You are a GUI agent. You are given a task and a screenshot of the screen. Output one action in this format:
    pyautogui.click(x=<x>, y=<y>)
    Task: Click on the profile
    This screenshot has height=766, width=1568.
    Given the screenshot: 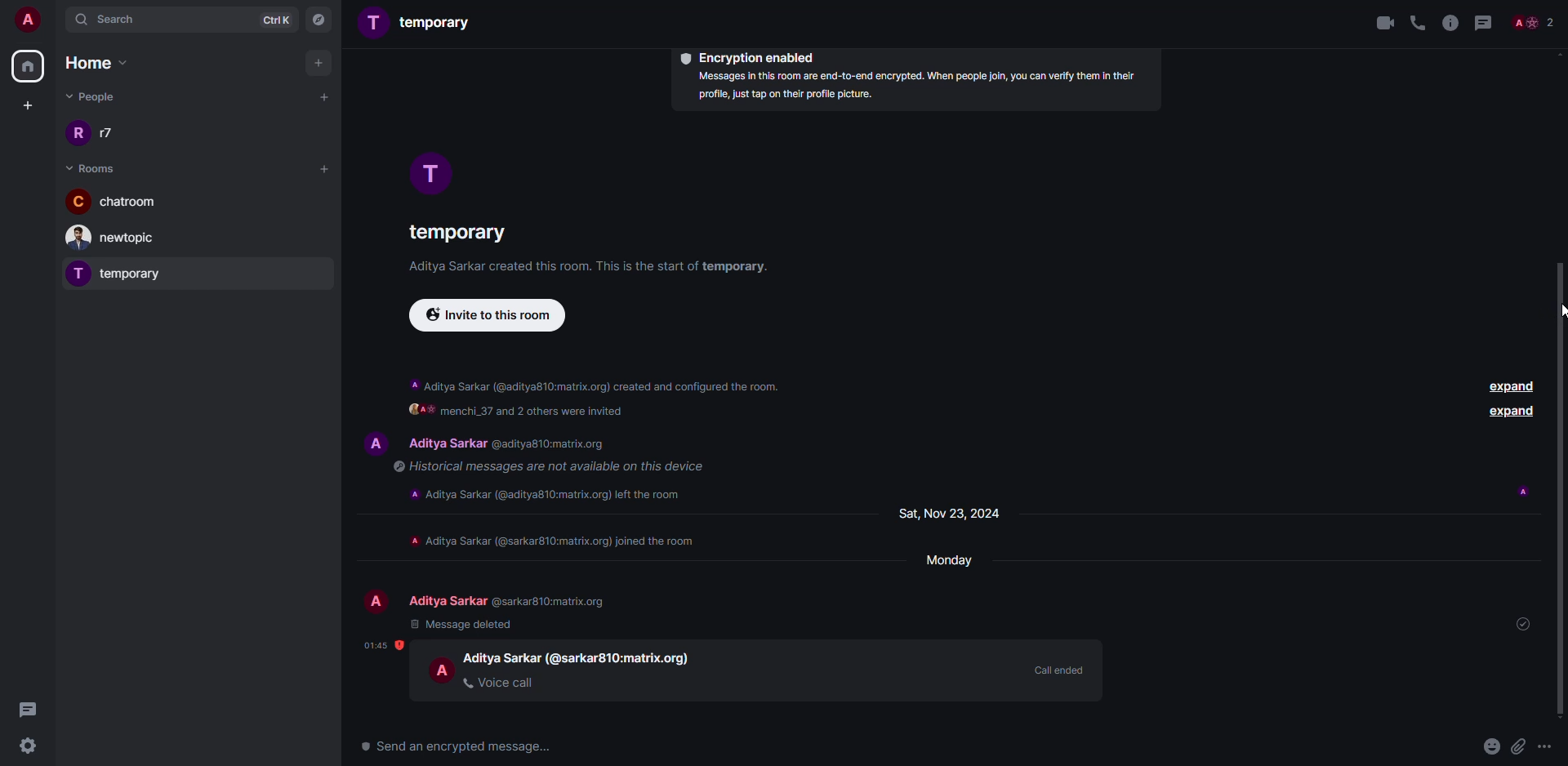 What is the action you would take?
    pyautogui.click(x=443, y=669)
    